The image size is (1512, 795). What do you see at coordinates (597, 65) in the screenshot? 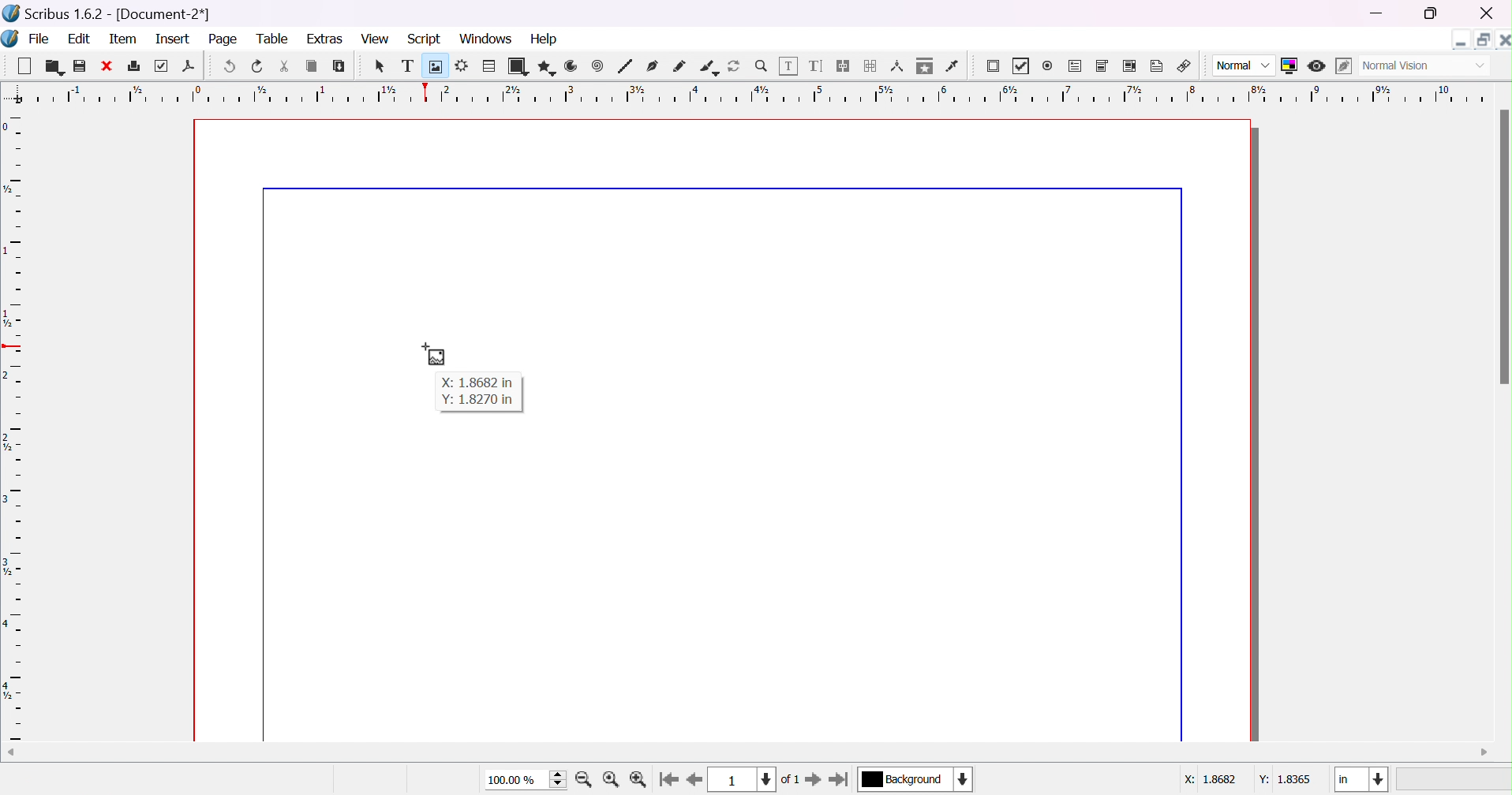
I see `spiral` at bounding box center [597, 65].